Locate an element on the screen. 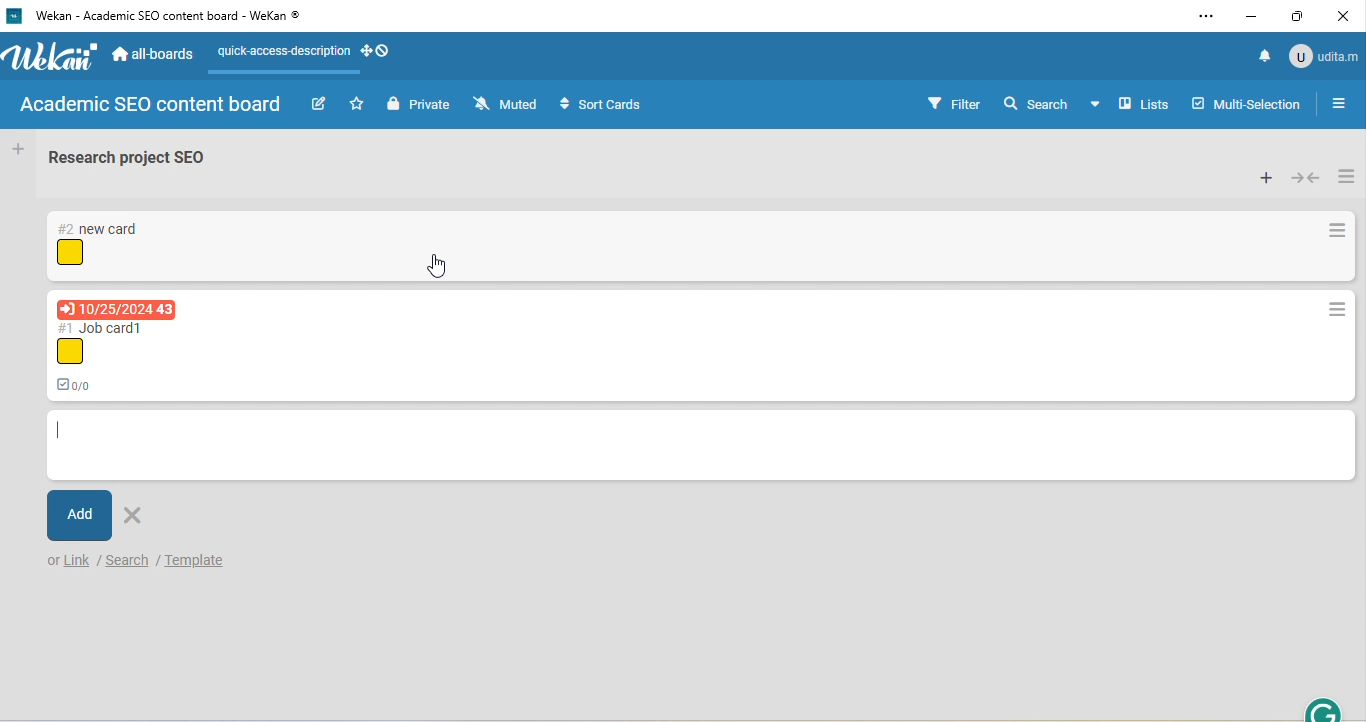 The image size is (1366, 722). list actions is located at coordinates (1346, 174).